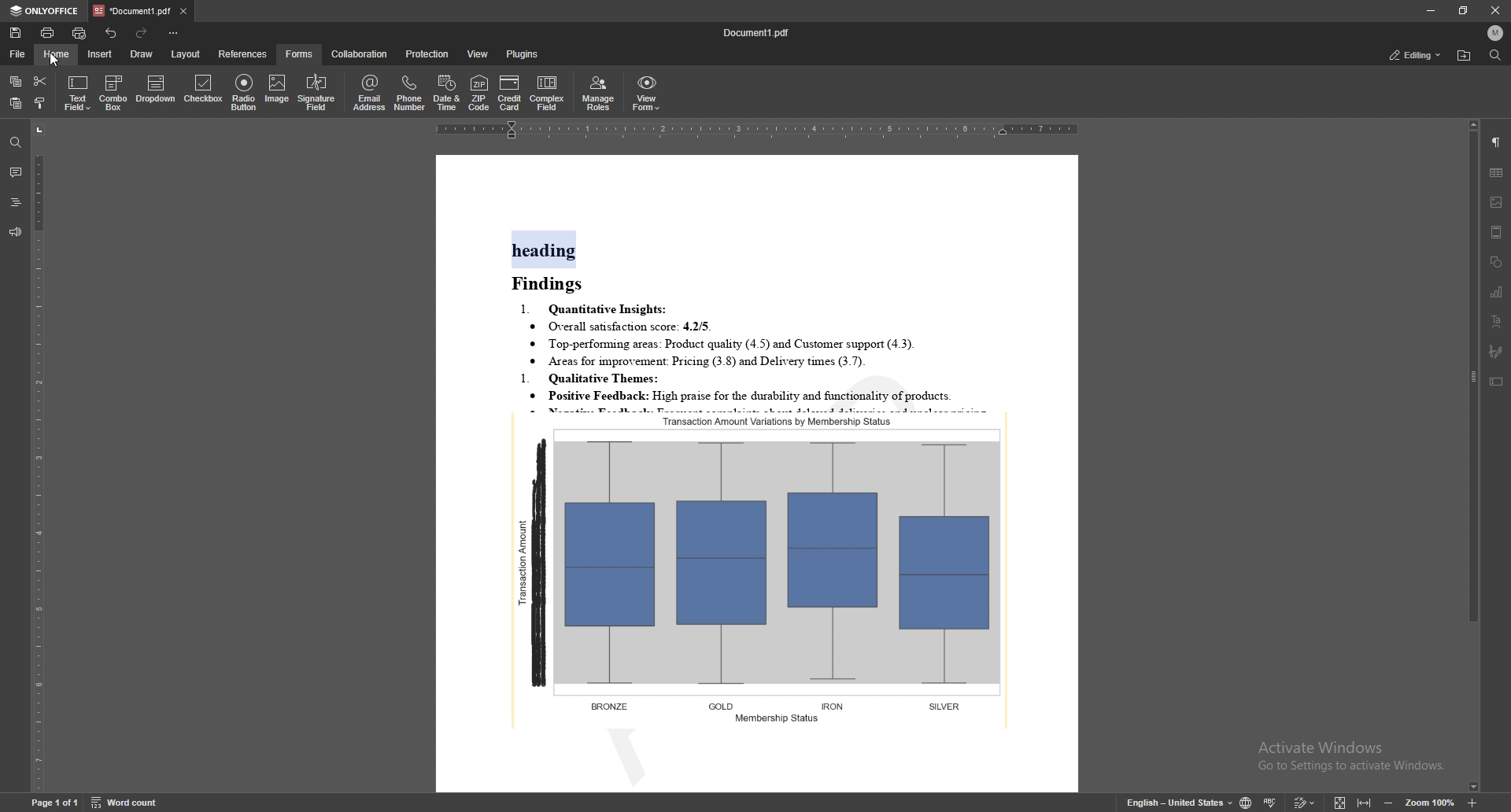  I want to click on header and footer, so click(1496, 232).